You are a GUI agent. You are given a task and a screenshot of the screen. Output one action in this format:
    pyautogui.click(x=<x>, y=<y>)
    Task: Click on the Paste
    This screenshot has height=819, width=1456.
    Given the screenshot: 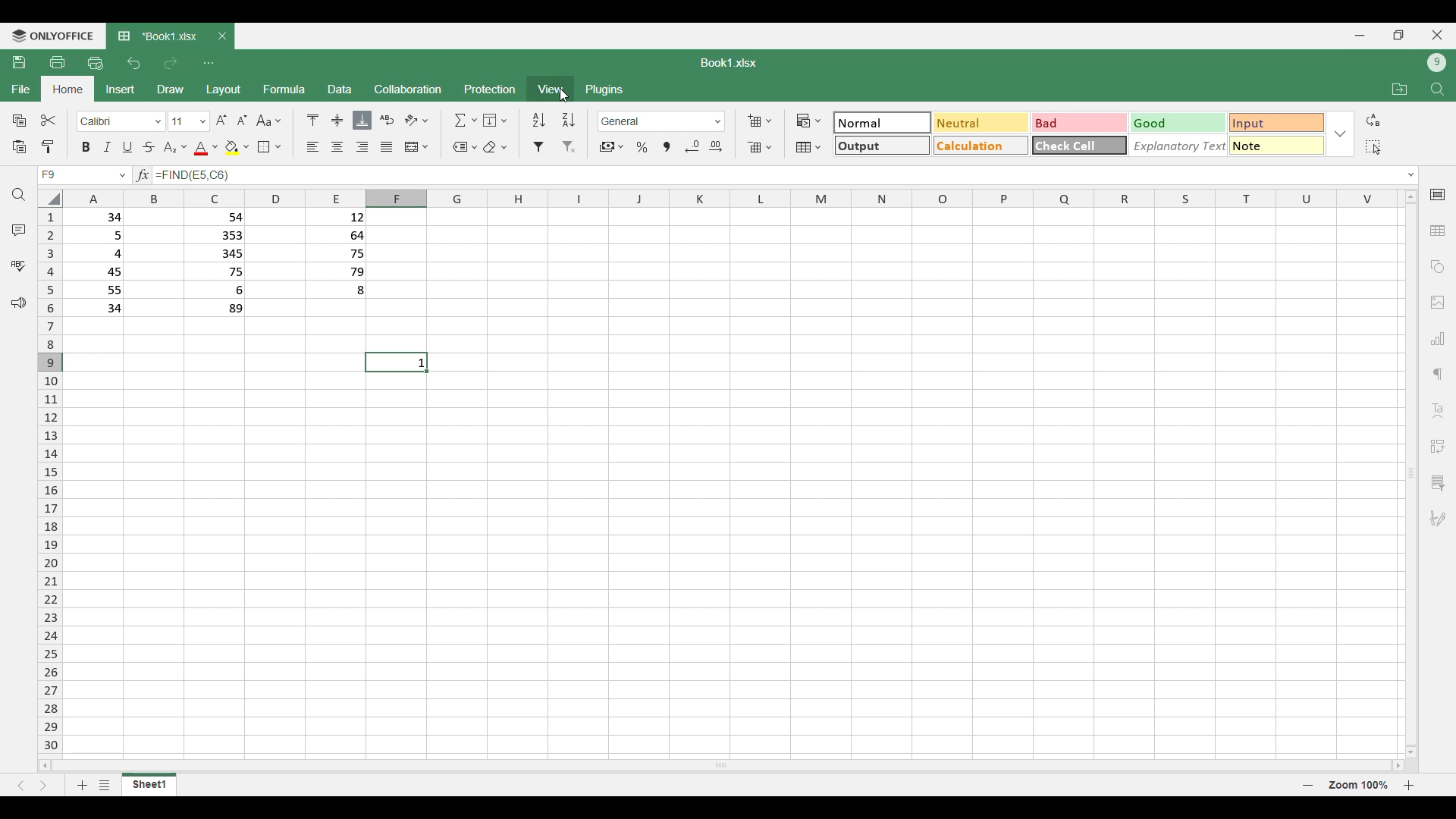 What is the action you would take?
    pyautogui.click(x=19, y=147)
    